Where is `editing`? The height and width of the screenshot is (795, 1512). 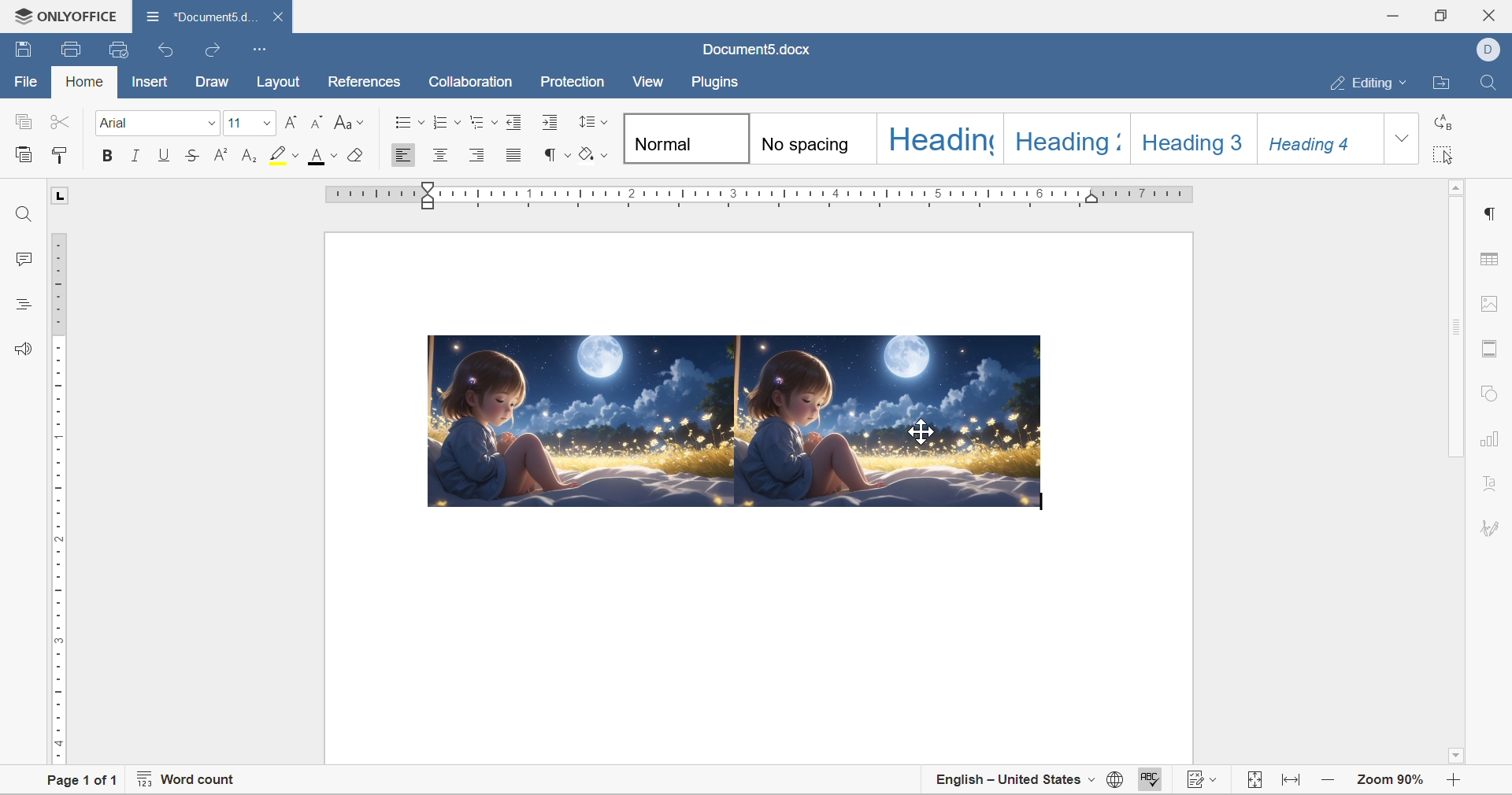 editing is located at coordinates (1373, 80).